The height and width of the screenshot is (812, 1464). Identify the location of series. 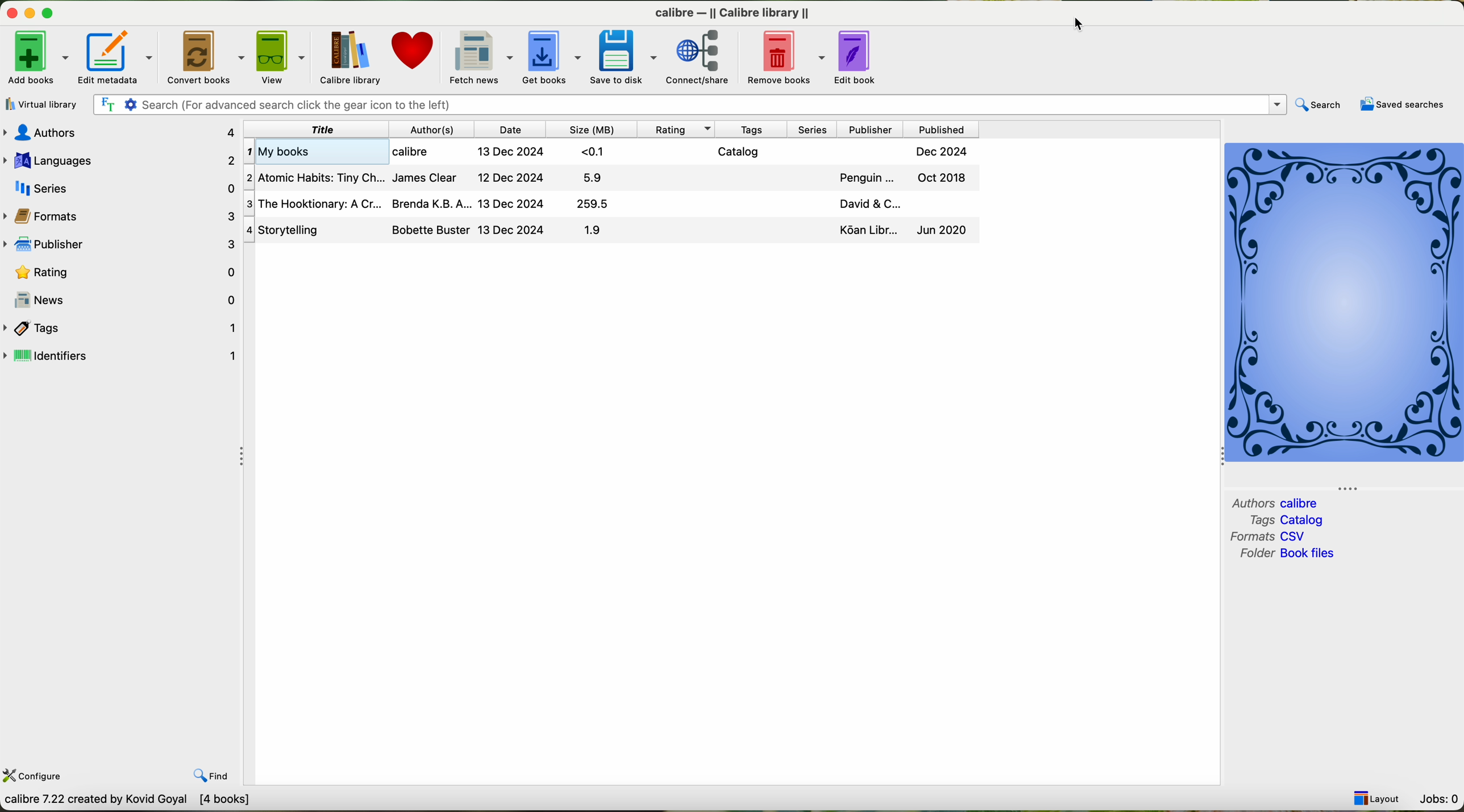
(812, 130).